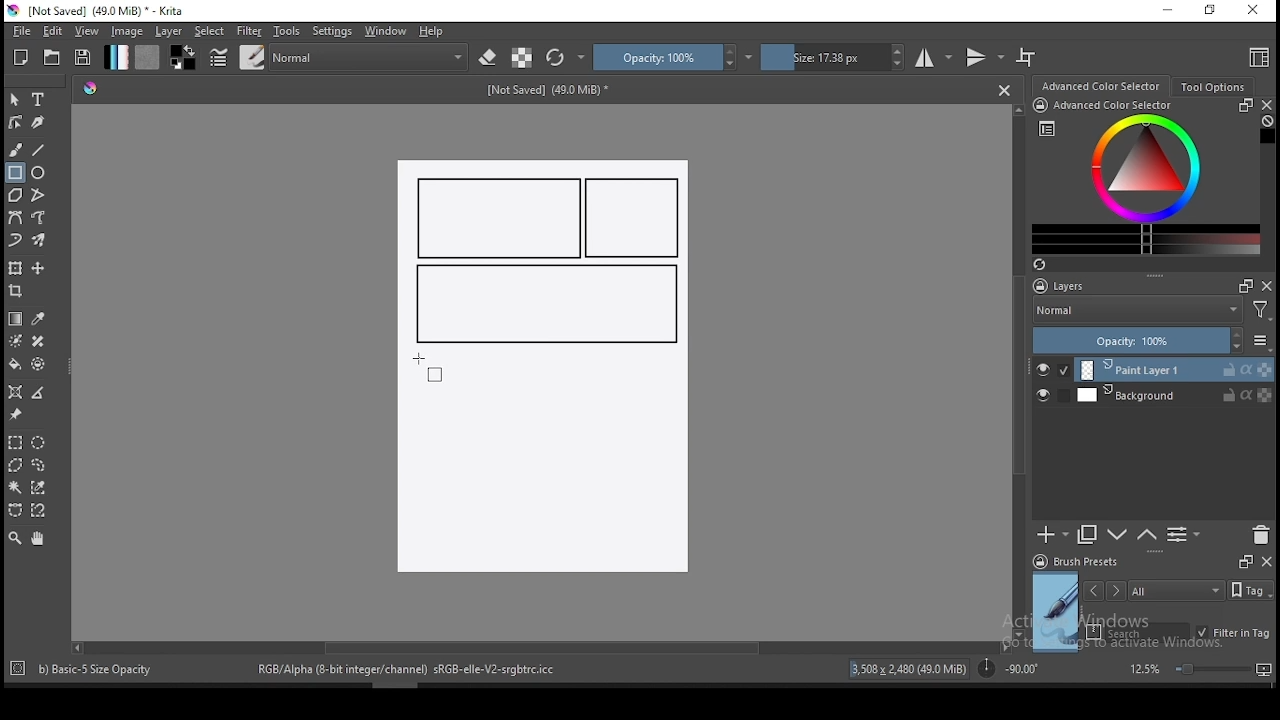 This screenshot has width=1280, height=720. What do you see at coordinates (86, 31) in the screenshot?
I see `view` at bounding box center [86, 31].